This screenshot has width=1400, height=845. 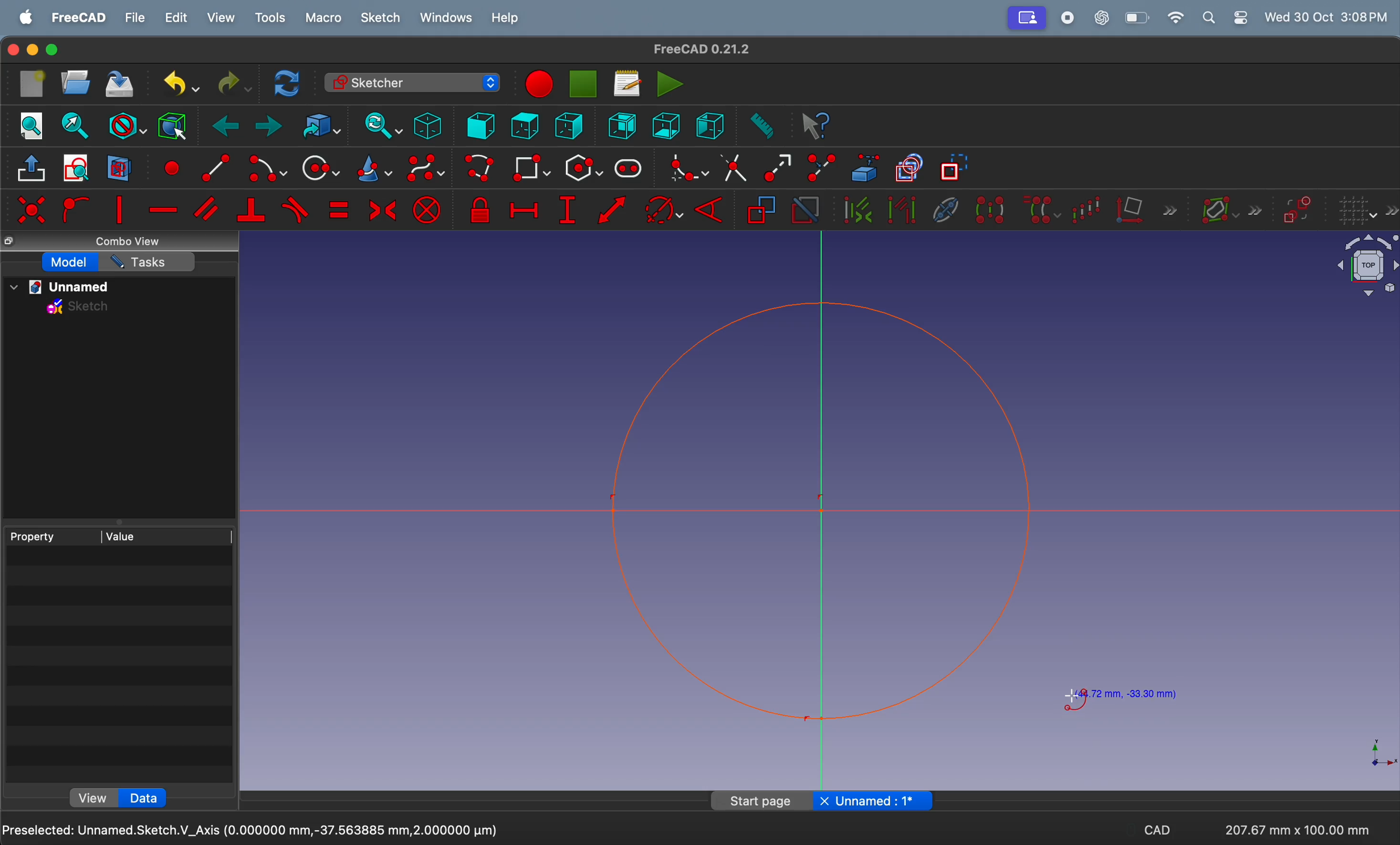 What do you see at coordinates (289, 82) in the screenshot?
I see `refresh` at bounding box center [289, 82].